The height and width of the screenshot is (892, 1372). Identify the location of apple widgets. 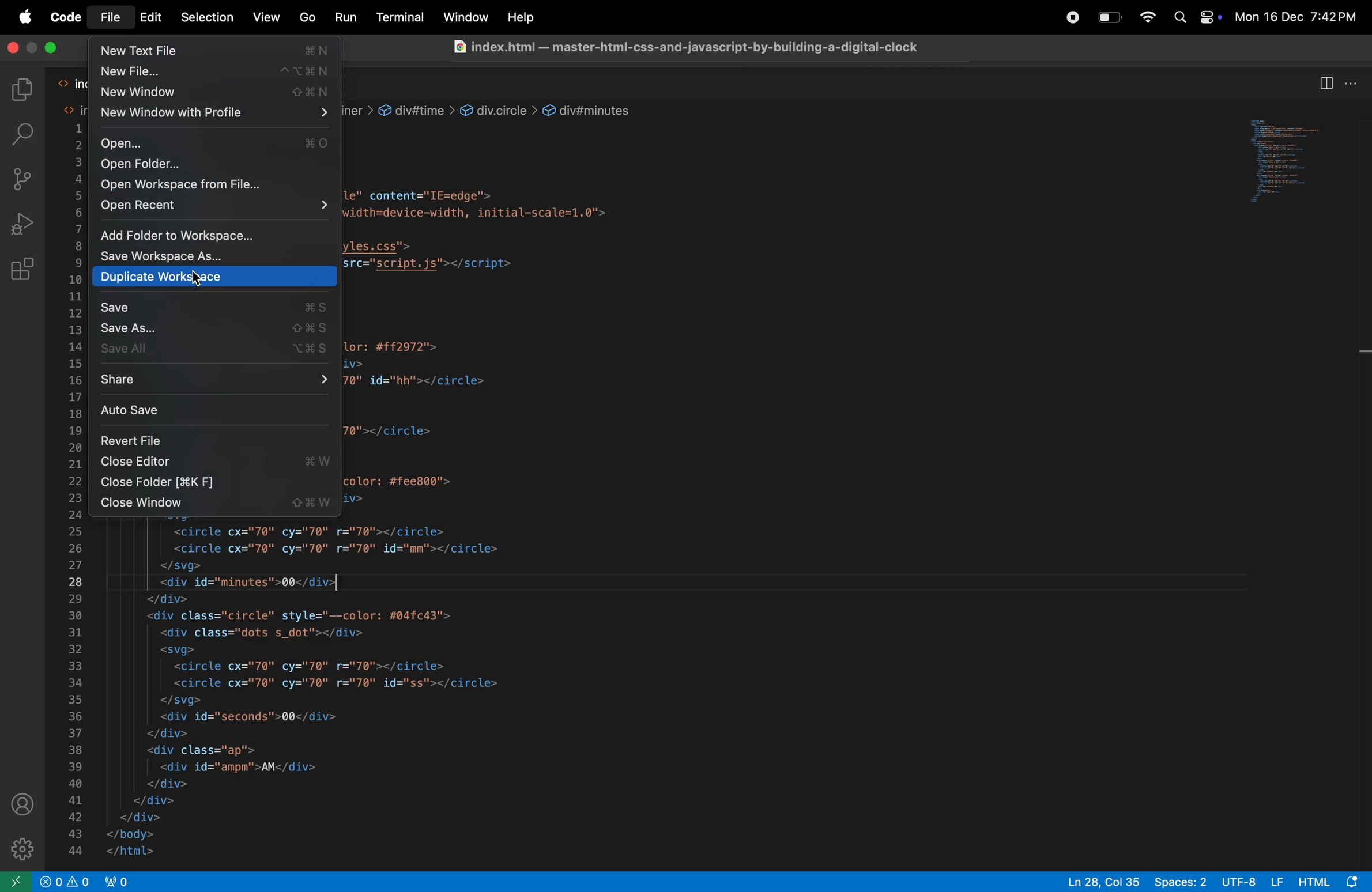
(1209, 19).